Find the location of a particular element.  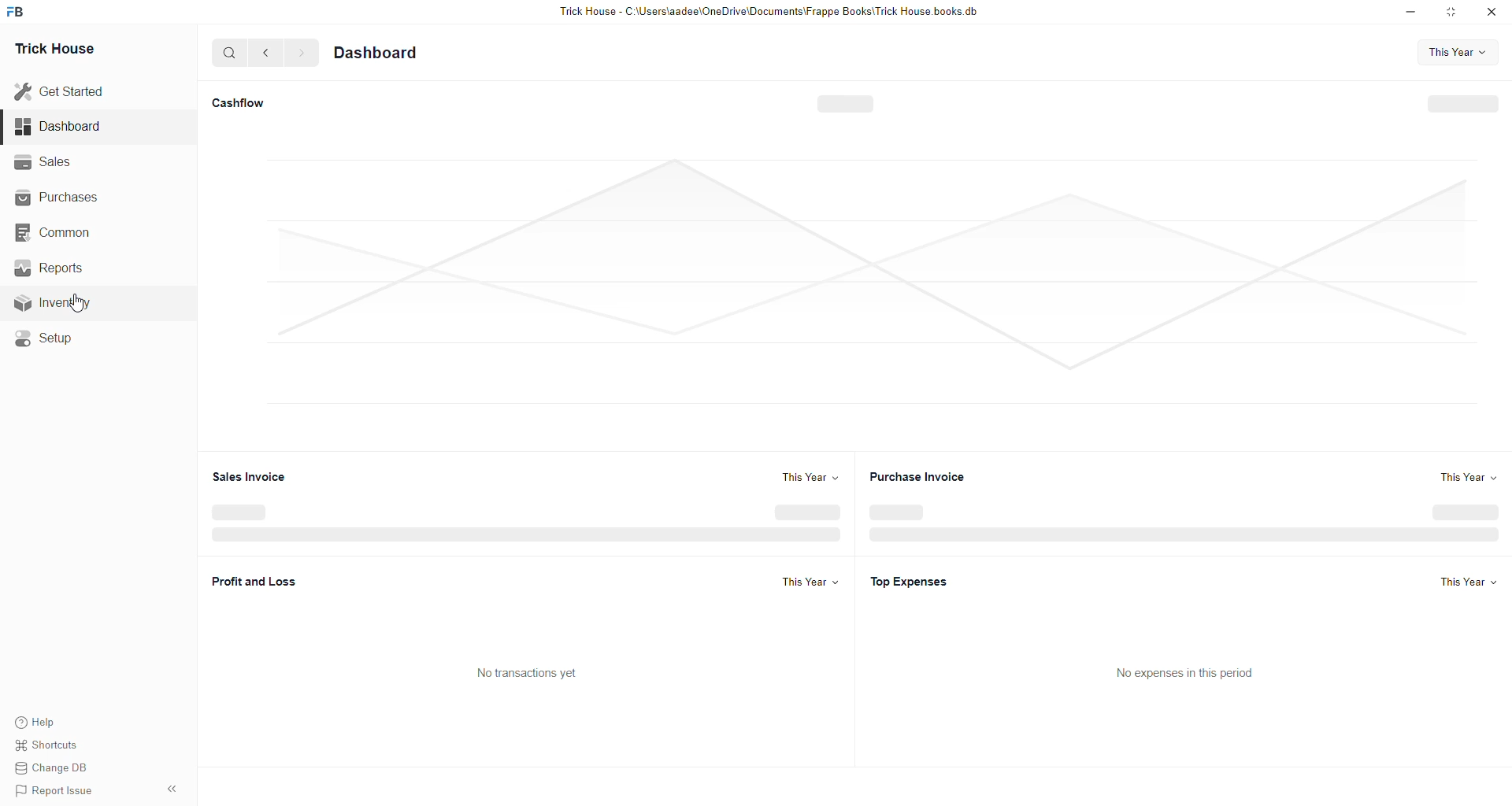

Cursor is located at coordinates (81, 305).